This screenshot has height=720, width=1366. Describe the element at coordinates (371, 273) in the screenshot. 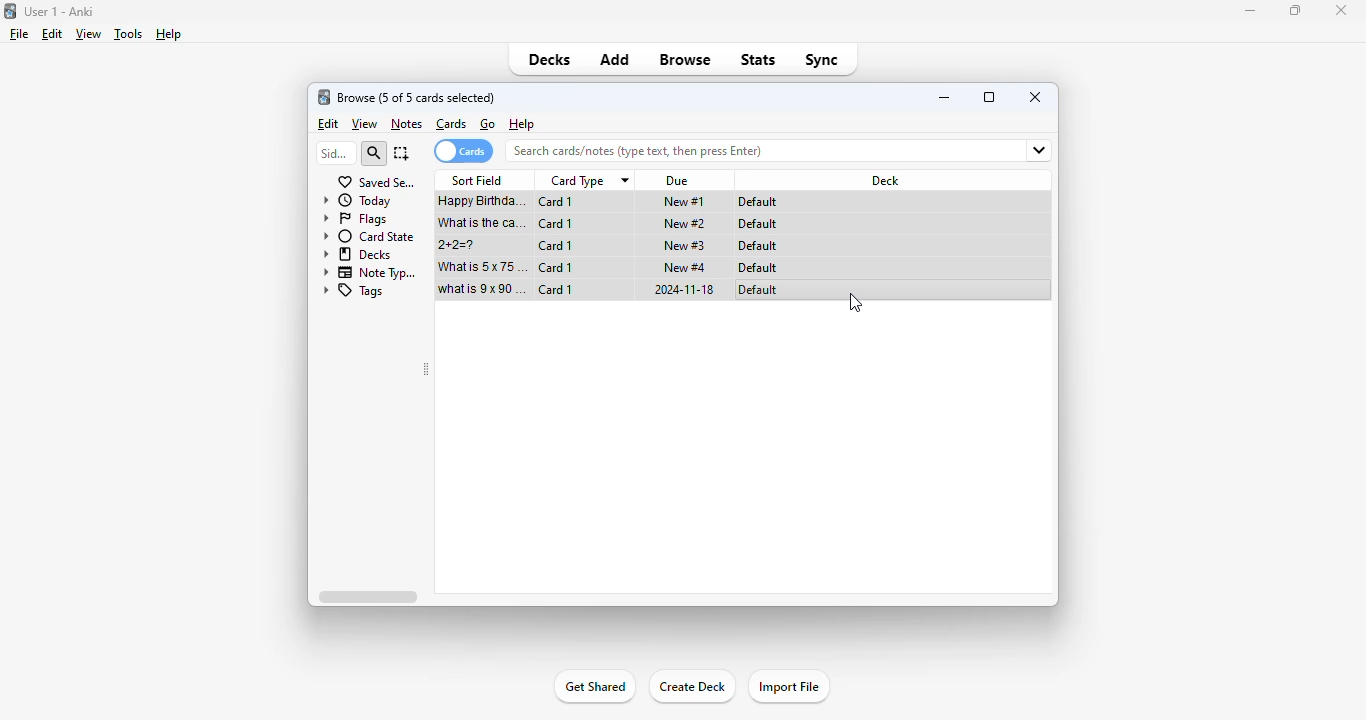

I see `note types` at that location.